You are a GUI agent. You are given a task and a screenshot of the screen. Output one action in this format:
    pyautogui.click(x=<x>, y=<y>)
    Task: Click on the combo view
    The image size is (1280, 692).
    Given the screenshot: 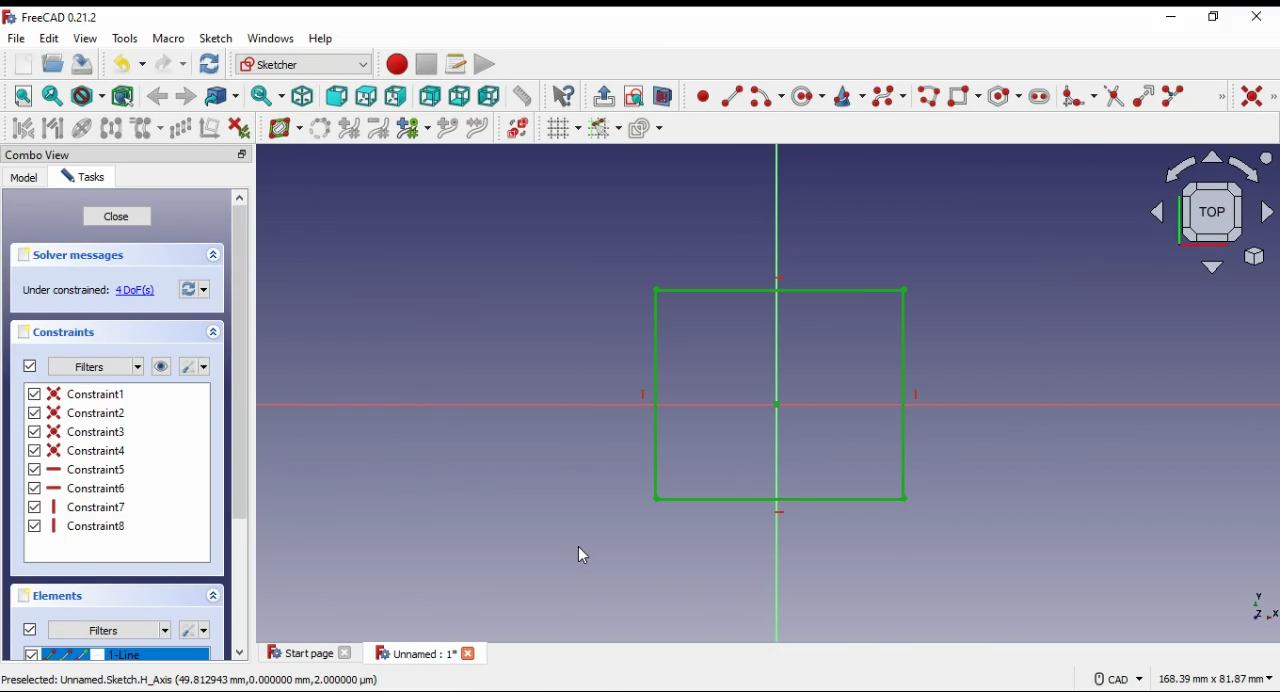 What is the action you would take?
    pyautogui.click(x=39, y=154)
    